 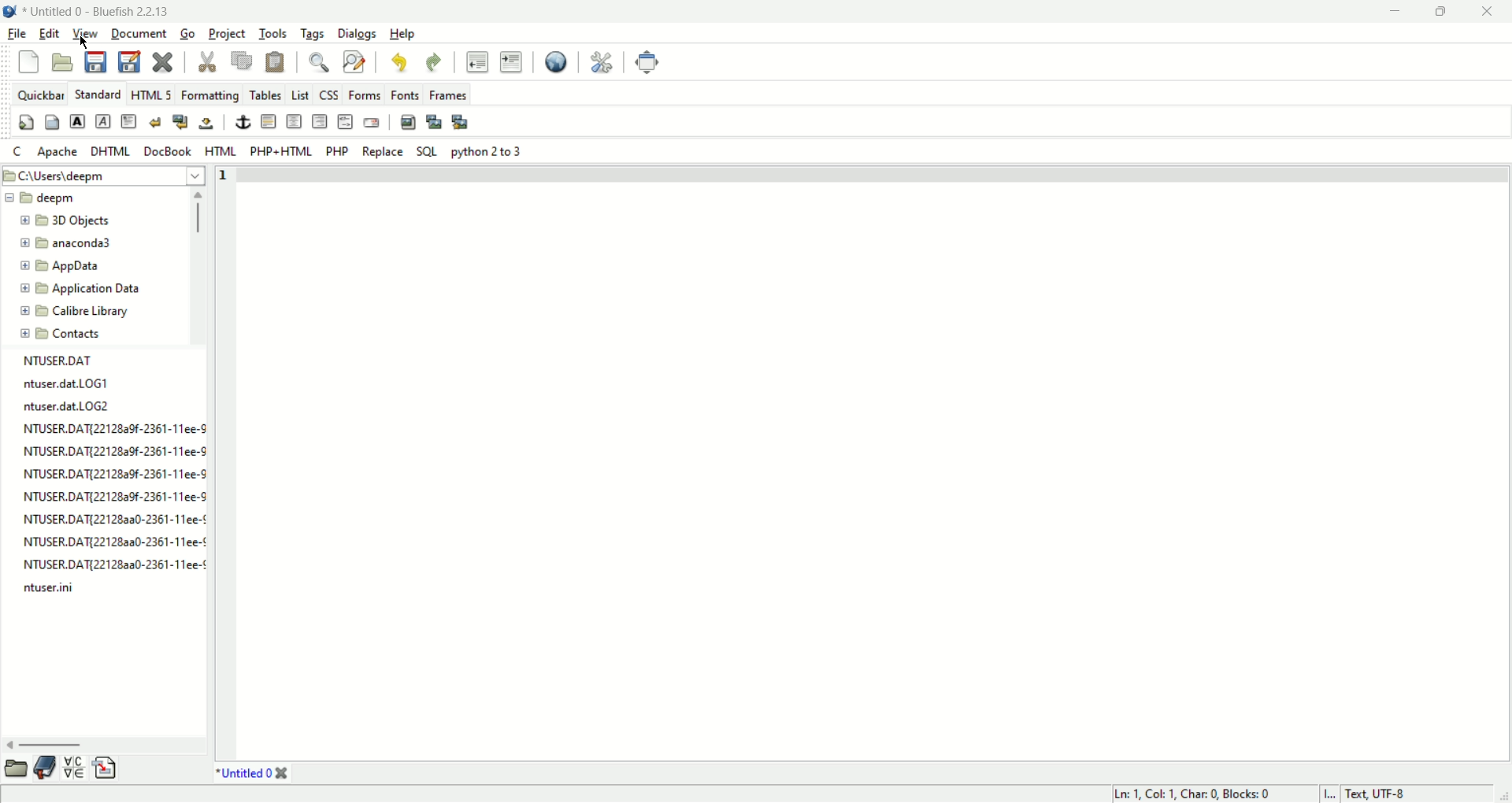 I want to click on NTUSER.DAT{22128a9f-2361-11ee-9, so click(x=113, y=451).